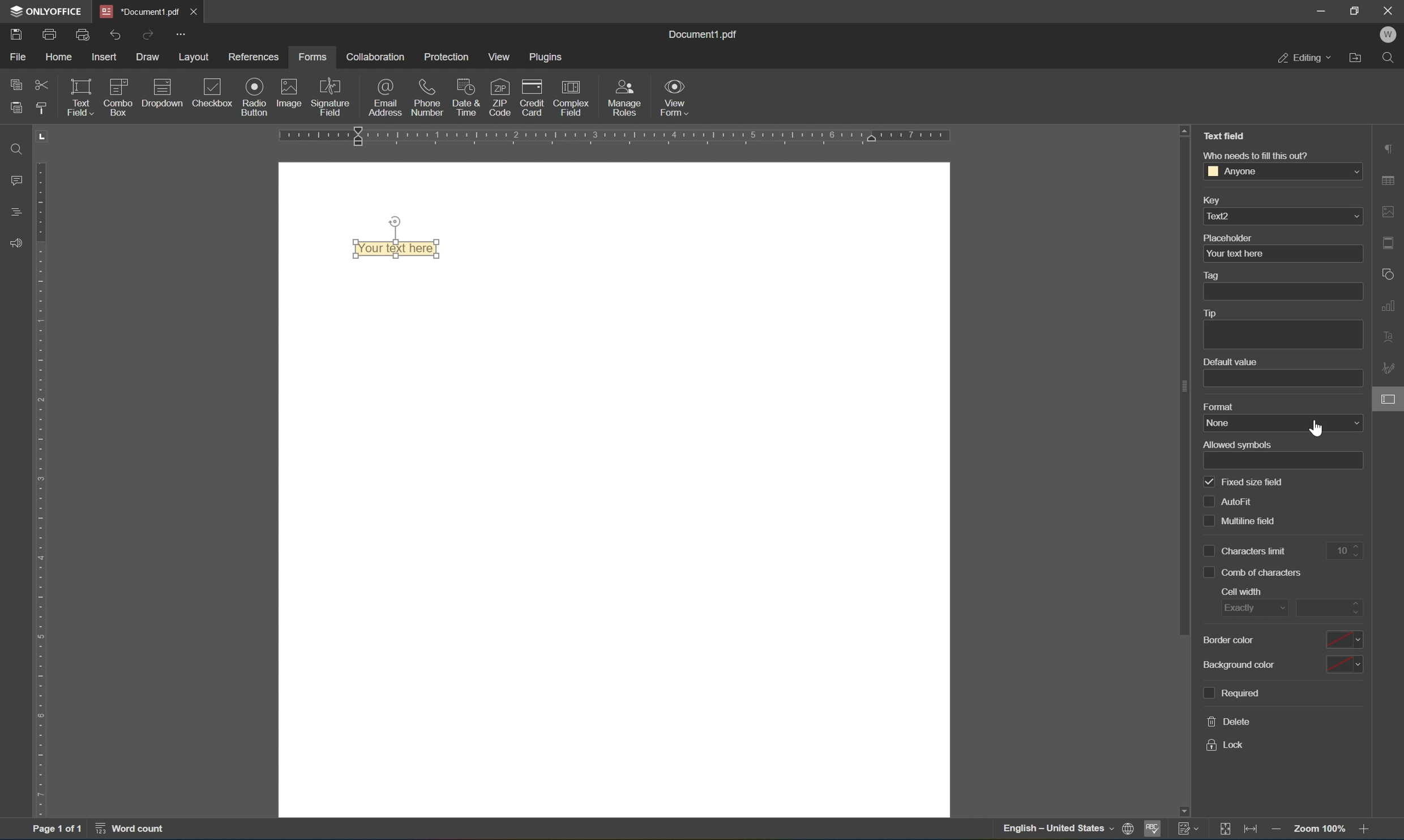 The image size is (1404, 840). What do you see at coordinates (1222, 832) in the screenshot?
I see `fit to slide` at bounding box center [1222, 832].